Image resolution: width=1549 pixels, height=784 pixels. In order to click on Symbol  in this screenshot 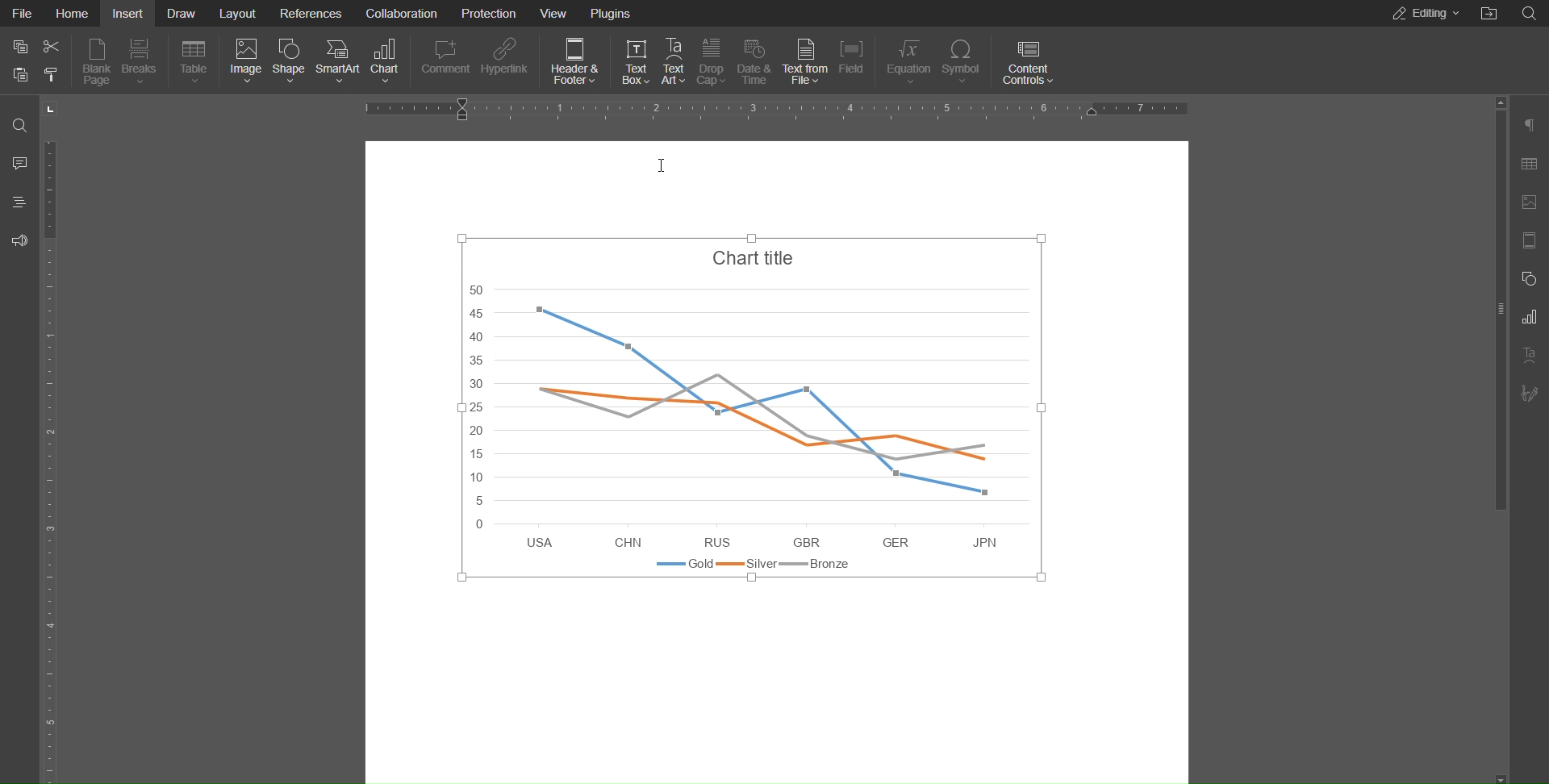, I will do `click(964, 59)`.